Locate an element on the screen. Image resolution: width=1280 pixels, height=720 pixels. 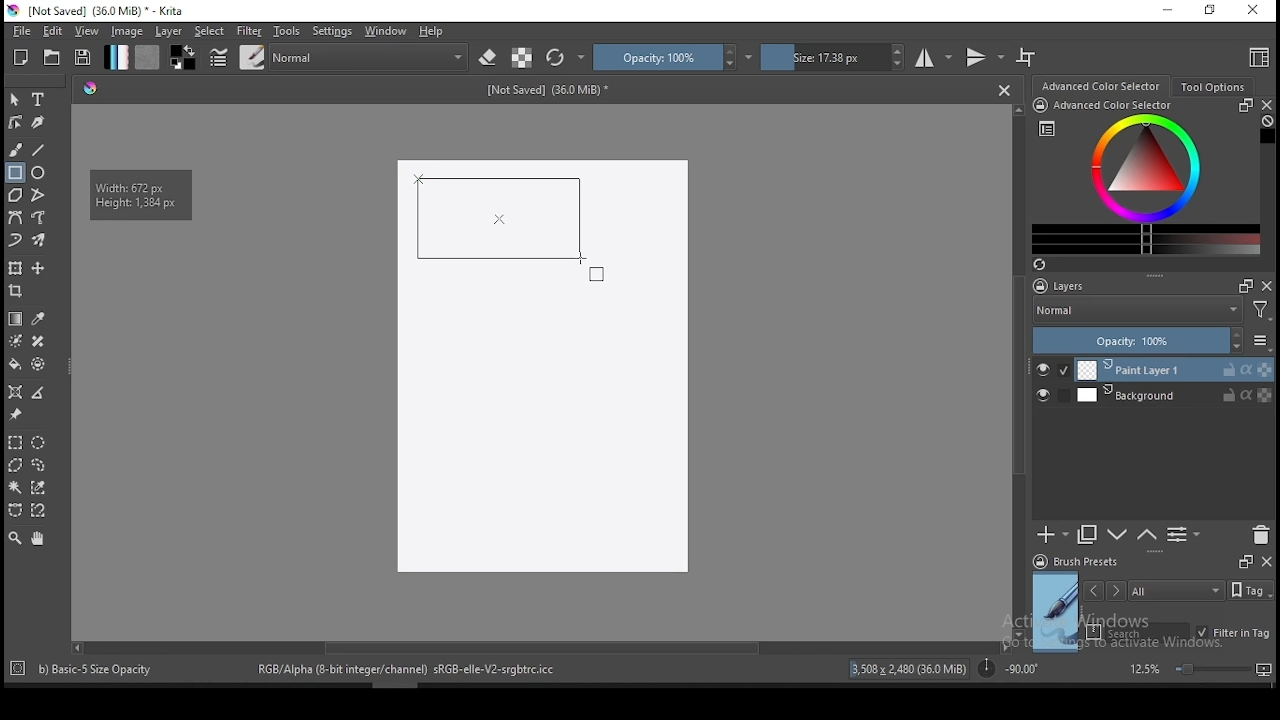
multibrush tool is located at coordinates (40, 242).